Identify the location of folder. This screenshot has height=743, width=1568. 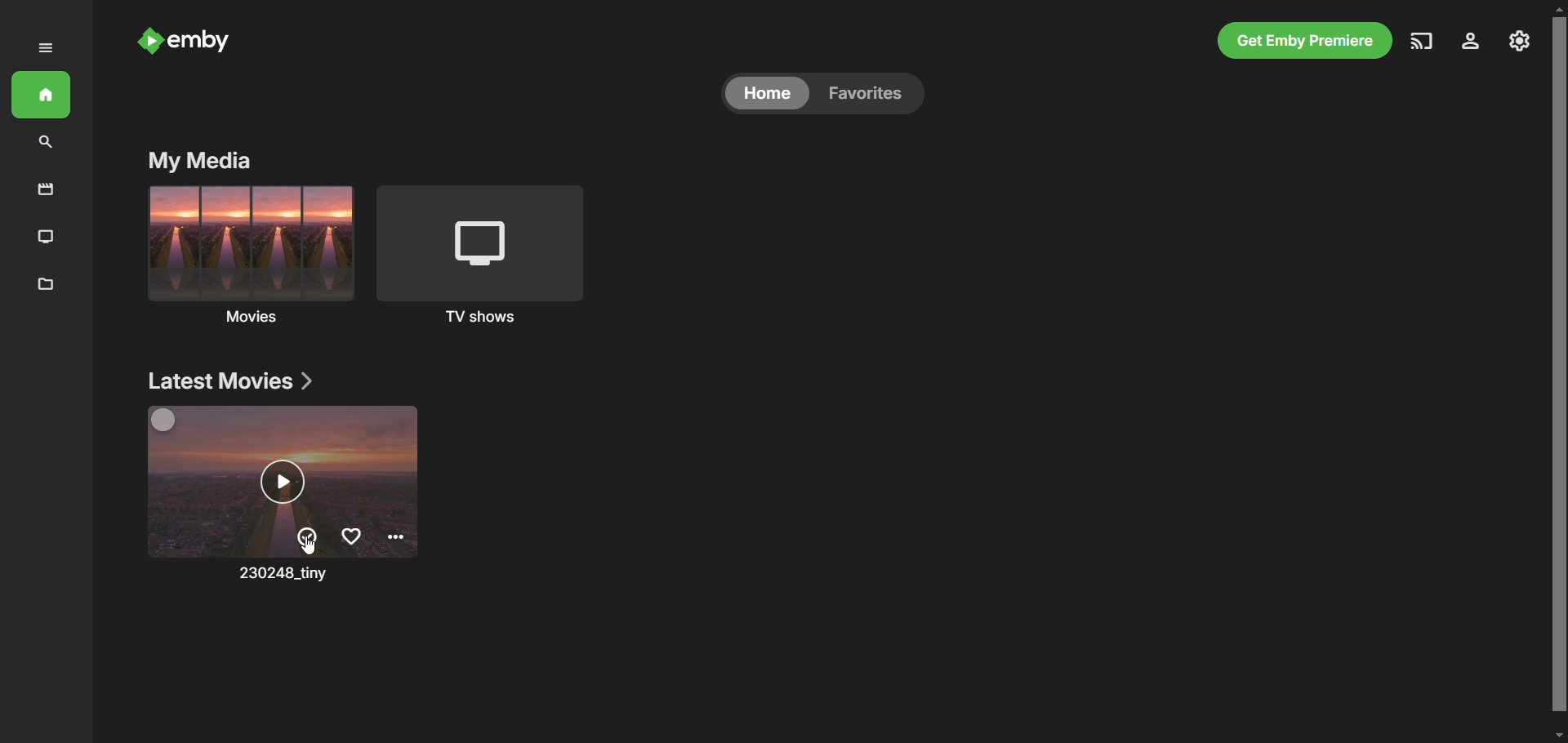
(42, 285).